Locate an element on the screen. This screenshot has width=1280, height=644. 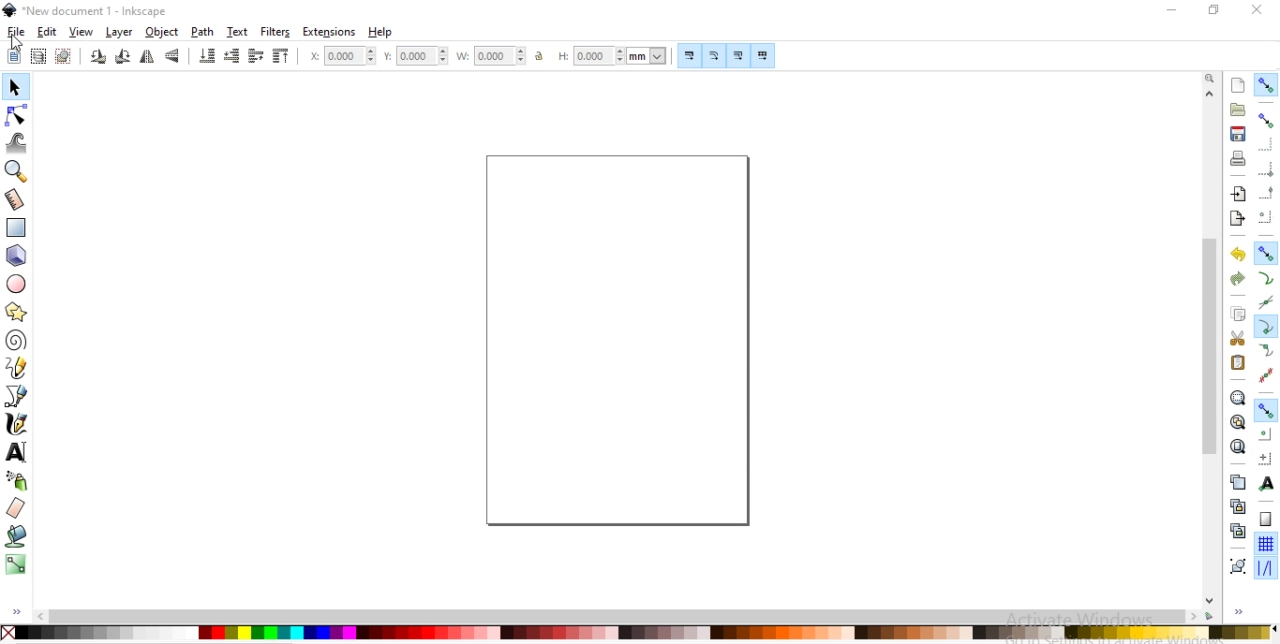
scrollbar is located at coordinates (626, 616).